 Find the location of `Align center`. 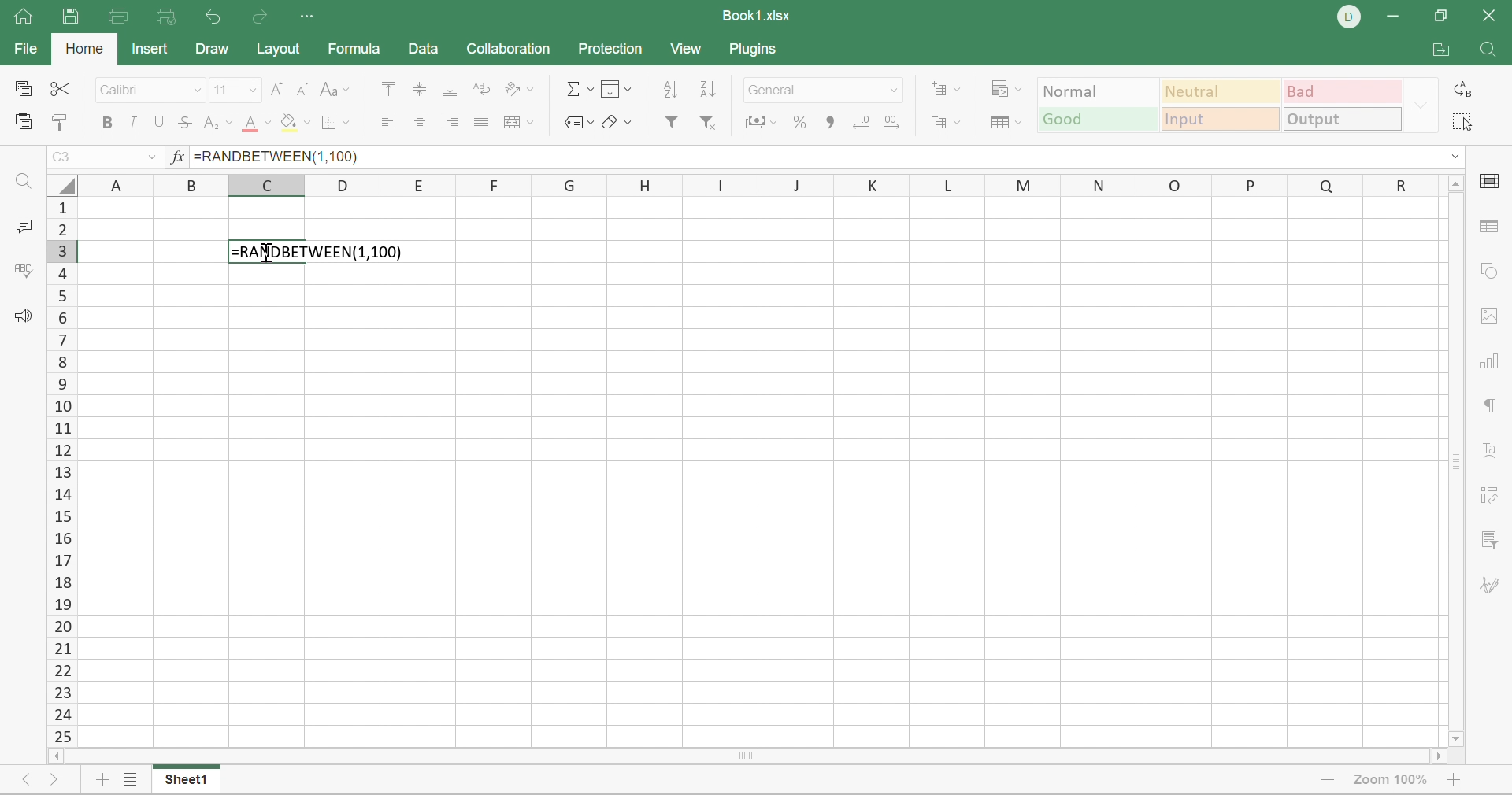

Align center is located at coordinates (421, 122).